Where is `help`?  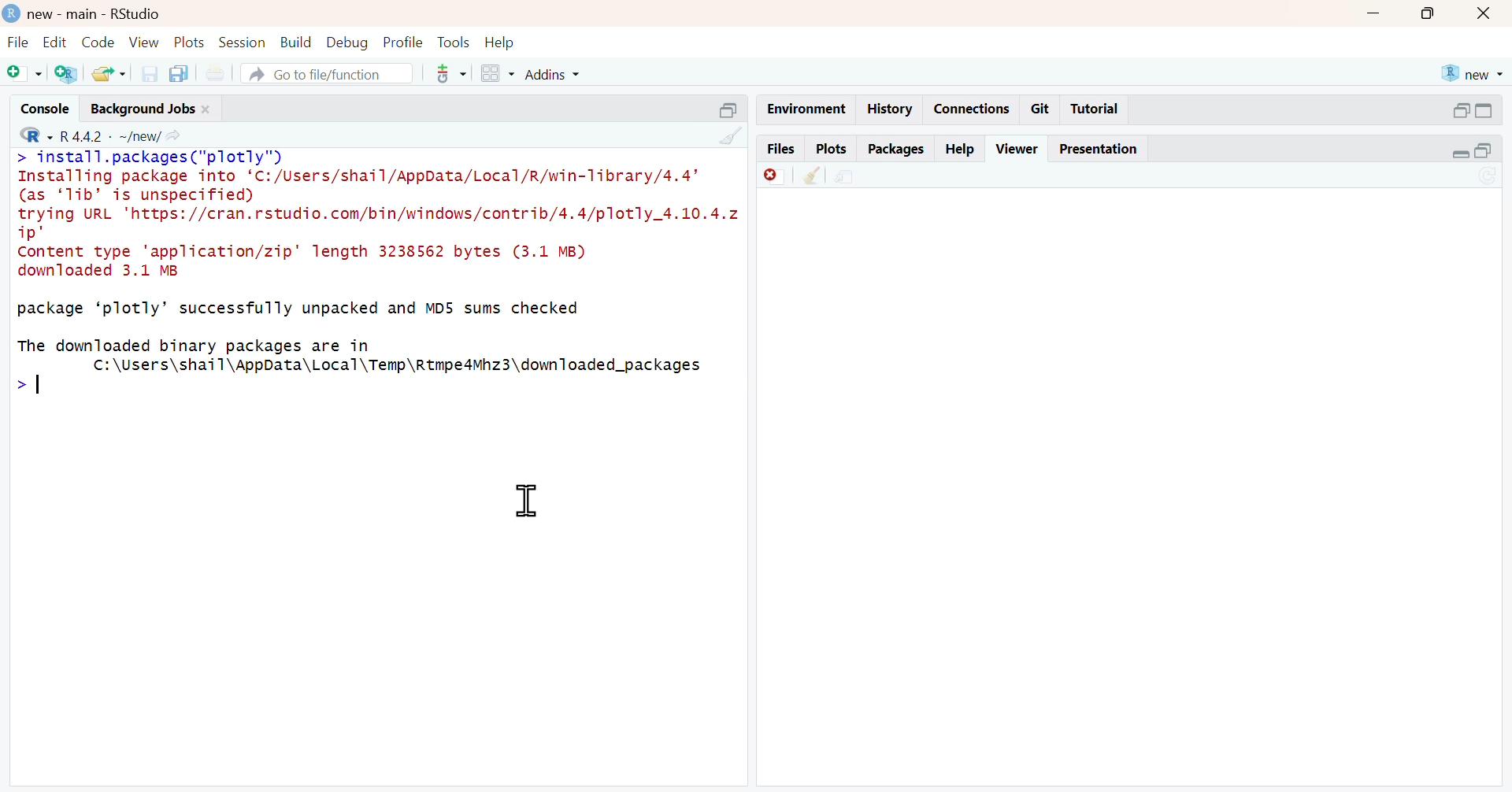
help is located at coordinates (961, 146).